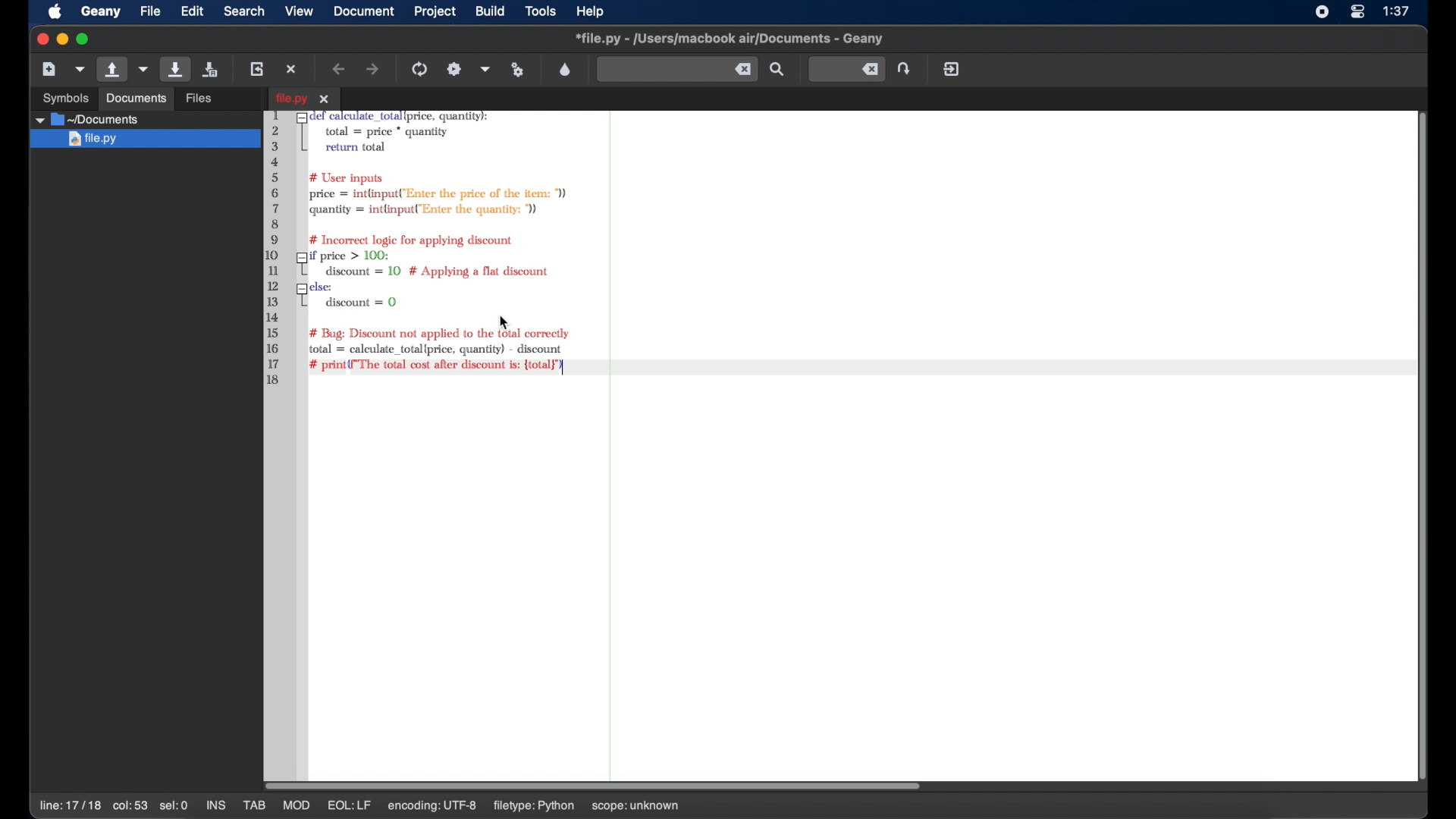  Describe the element at coordinates (144, 140) in the screenshot. I see `file.py` at that location.